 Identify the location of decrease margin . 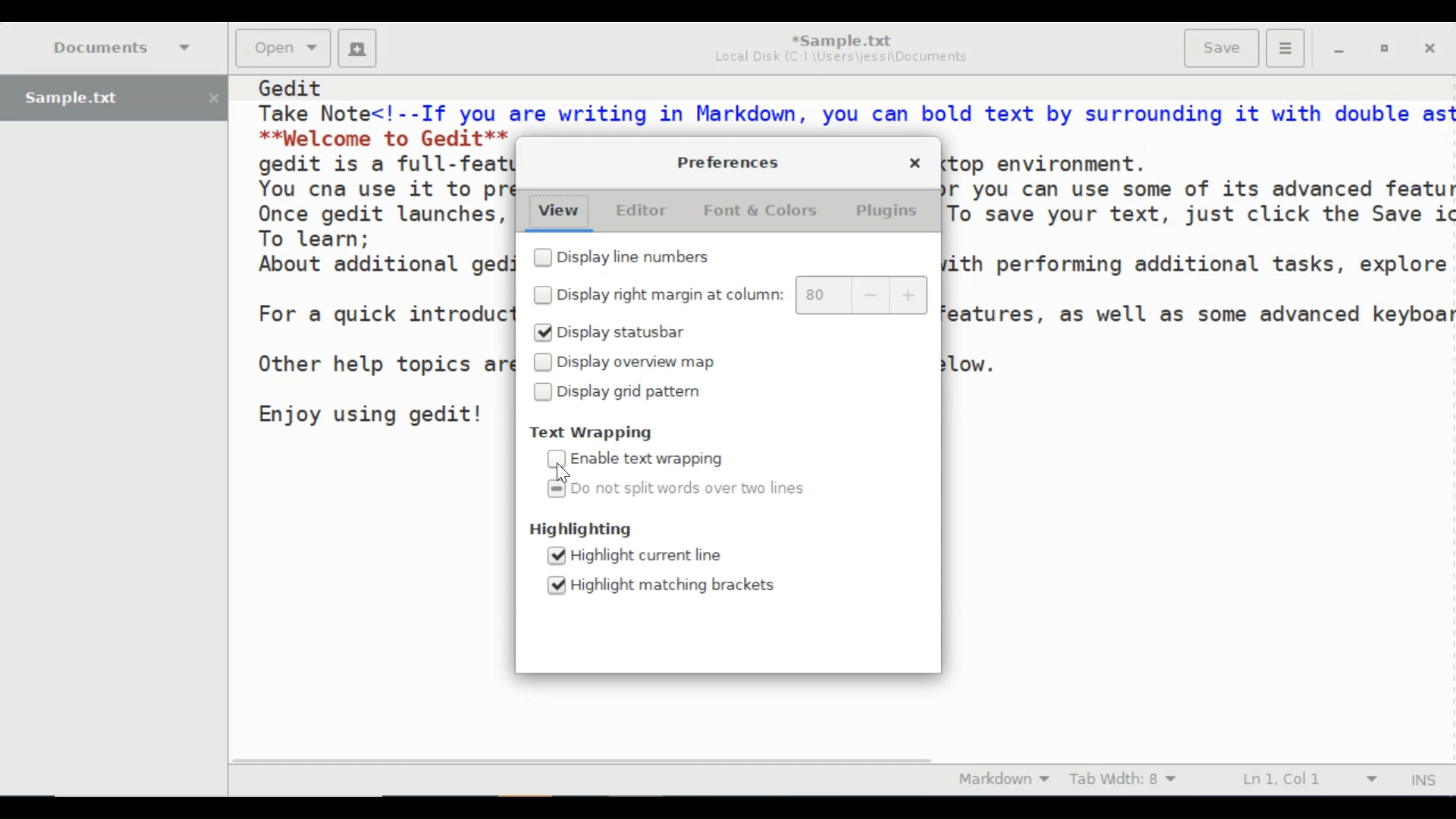
(870, 295).